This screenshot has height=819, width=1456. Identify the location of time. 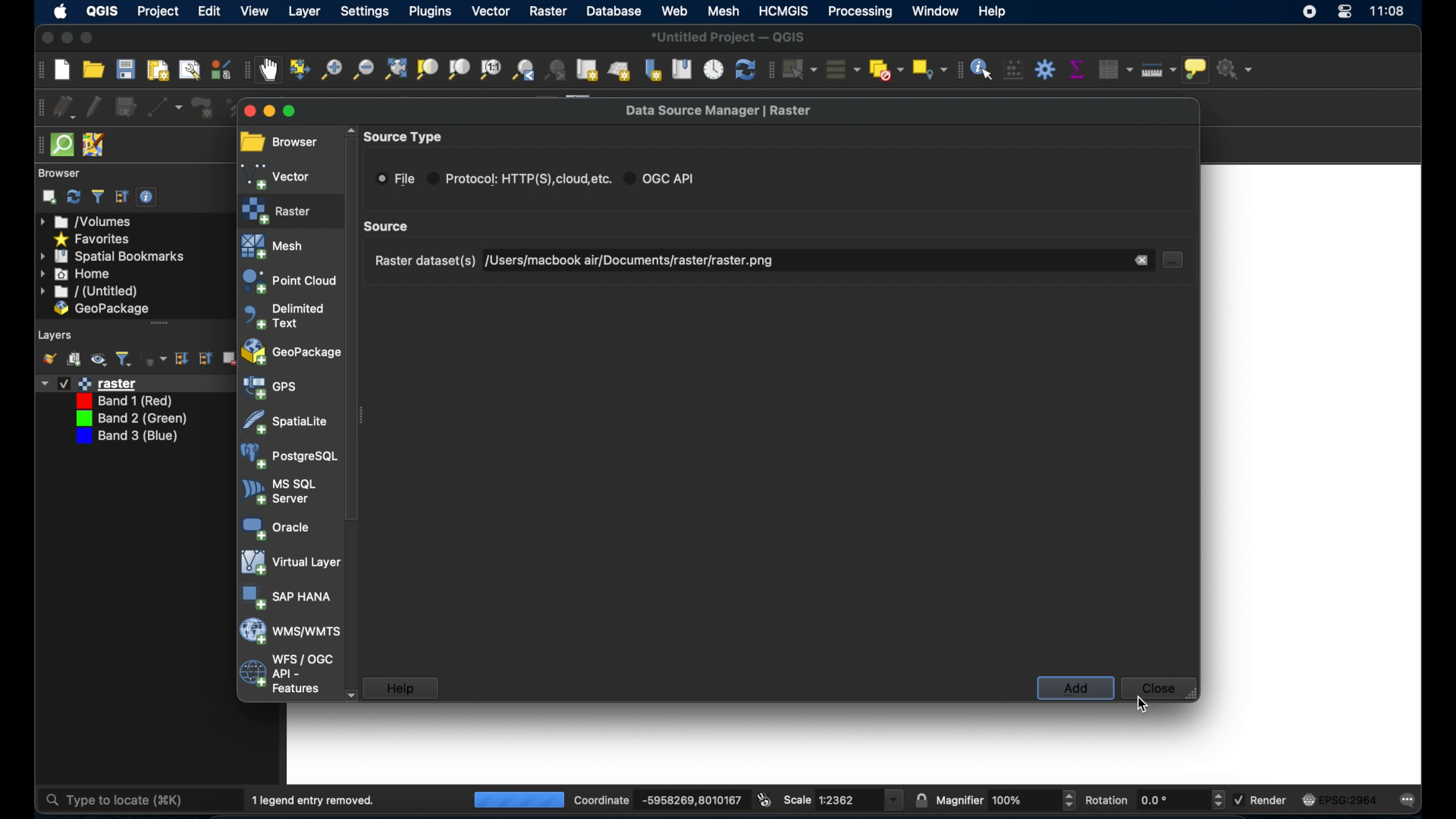
(1389, 13).